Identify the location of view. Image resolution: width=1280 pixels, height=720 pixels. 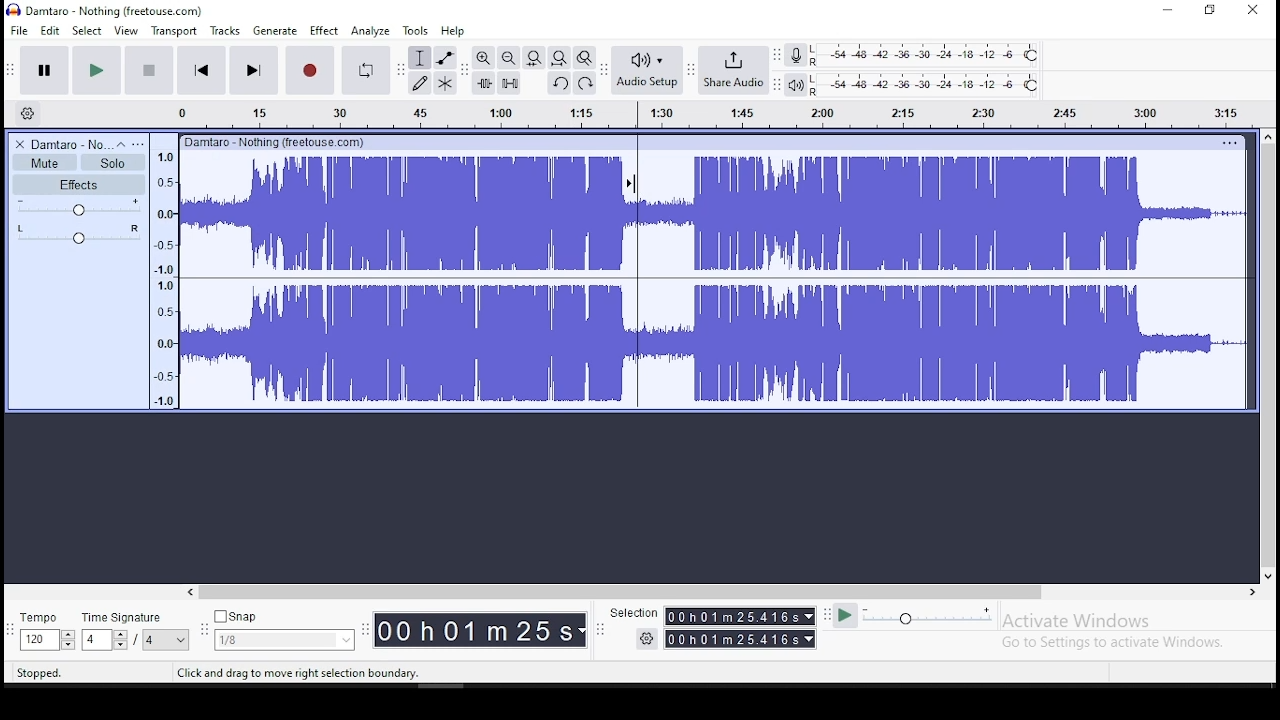
(125, 29).